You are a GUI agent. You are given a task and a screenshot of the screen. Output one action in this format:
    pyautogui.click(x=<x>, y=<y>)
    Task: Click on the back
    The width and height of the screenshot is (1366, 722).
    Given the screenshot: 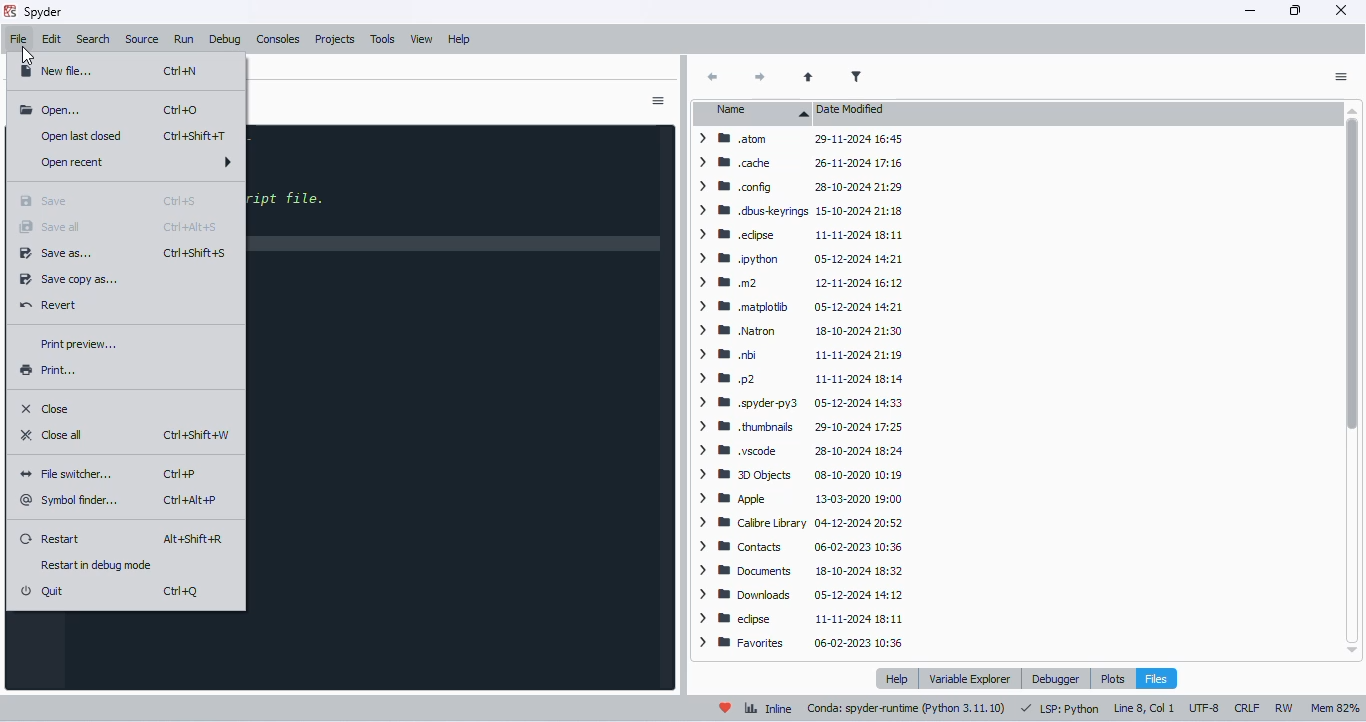 What is the action you would take?
    pyautogui.click(x=713, y=77)
    